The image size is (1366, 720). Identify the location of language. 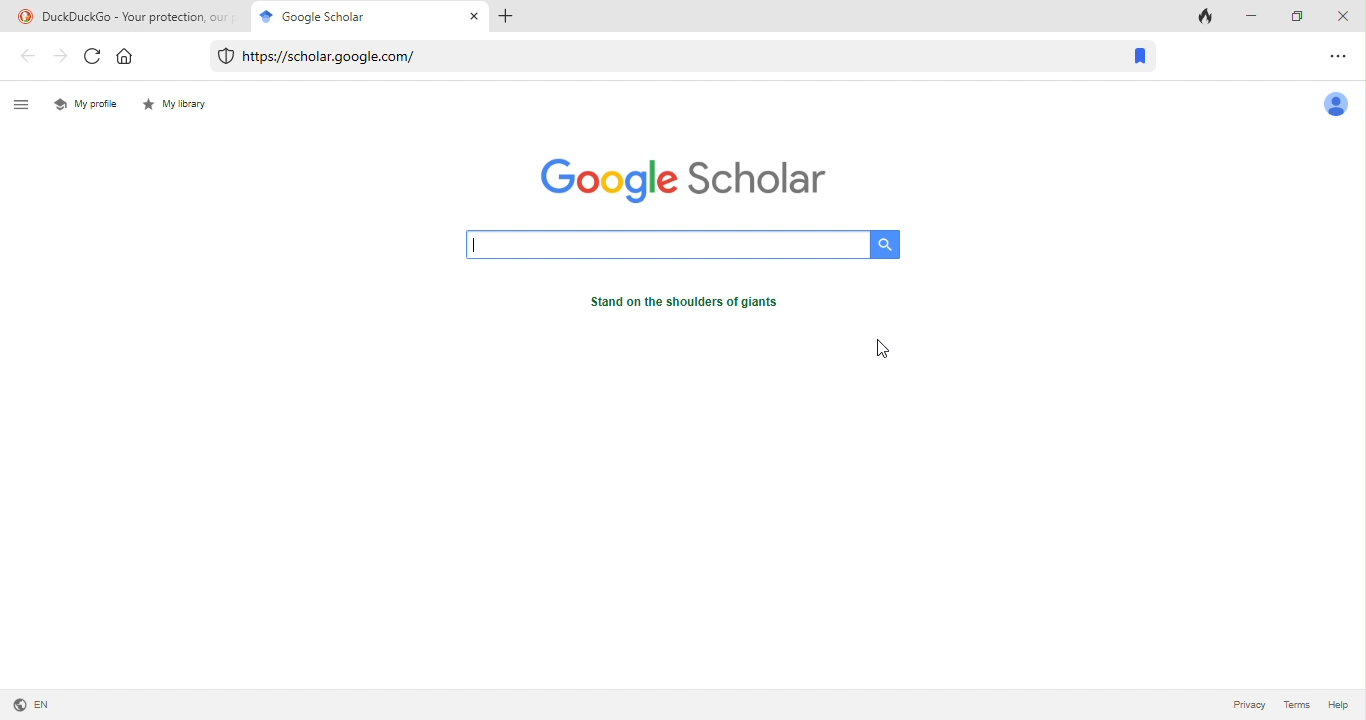
(32, 704).